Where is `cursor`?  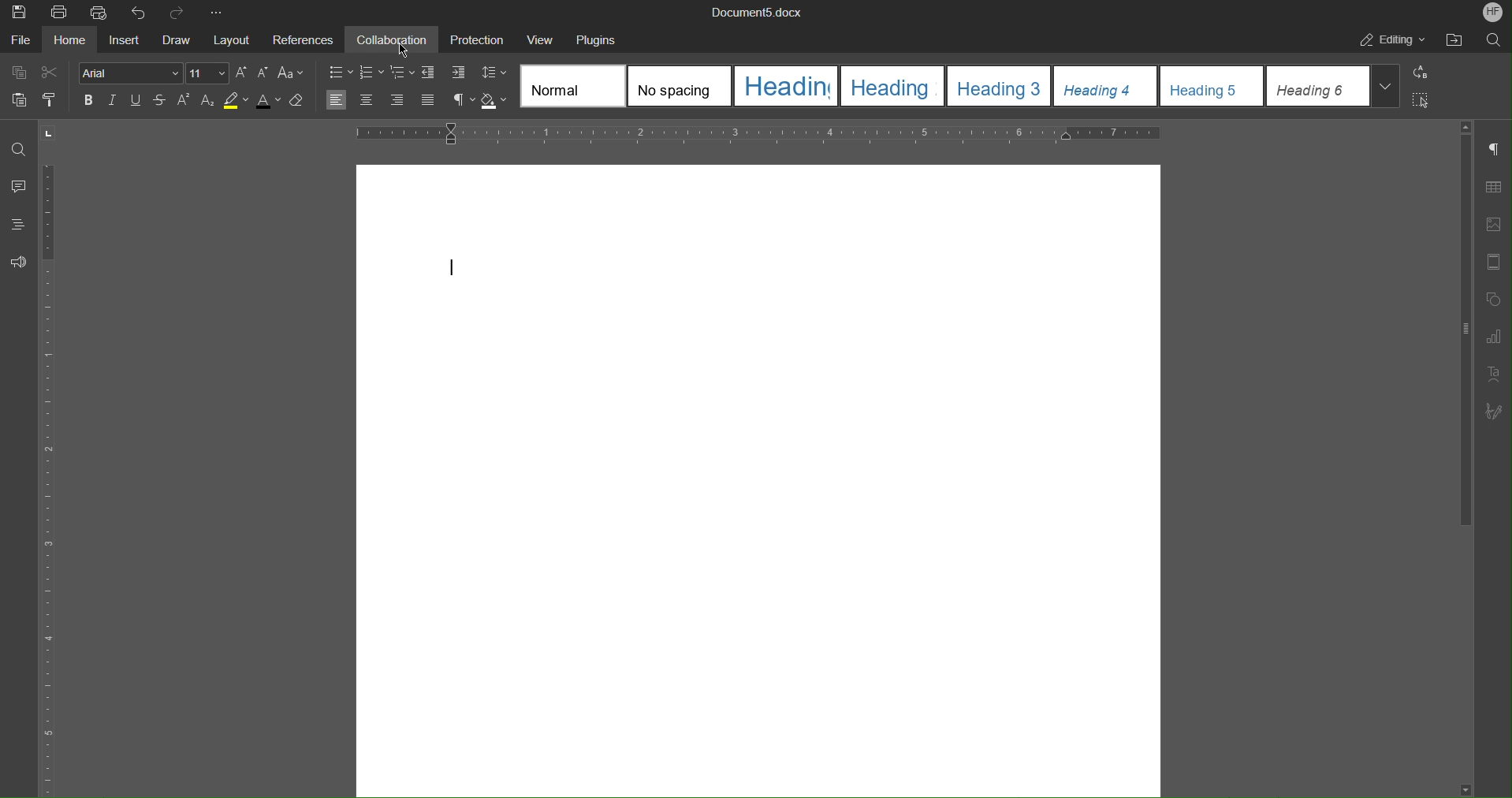
cursor is located at coordinates (60, 130).